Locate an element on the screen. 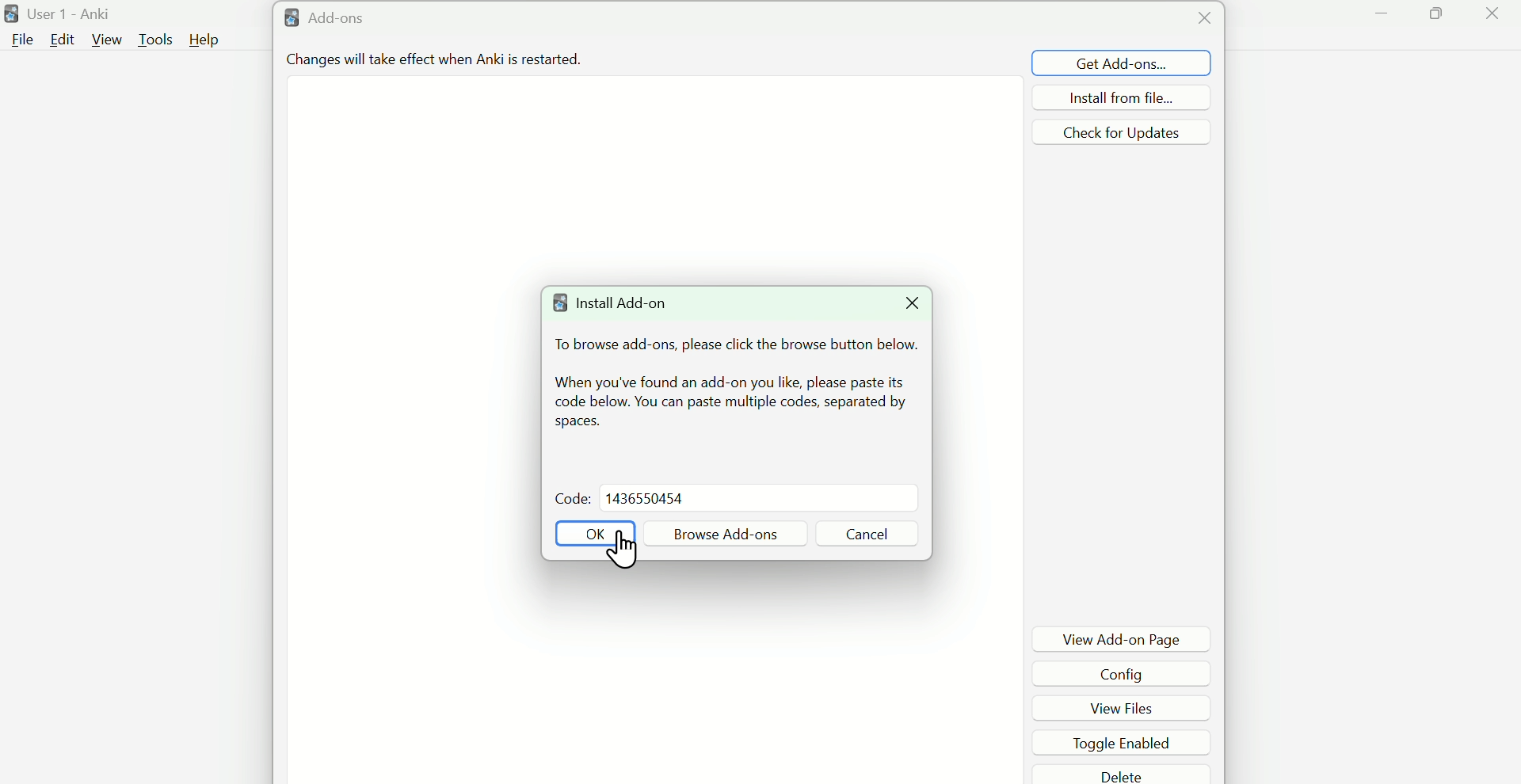 Image resolution: width=1521 pixels, height=784 pixels. Delete is located at coordinates (1126, 774).